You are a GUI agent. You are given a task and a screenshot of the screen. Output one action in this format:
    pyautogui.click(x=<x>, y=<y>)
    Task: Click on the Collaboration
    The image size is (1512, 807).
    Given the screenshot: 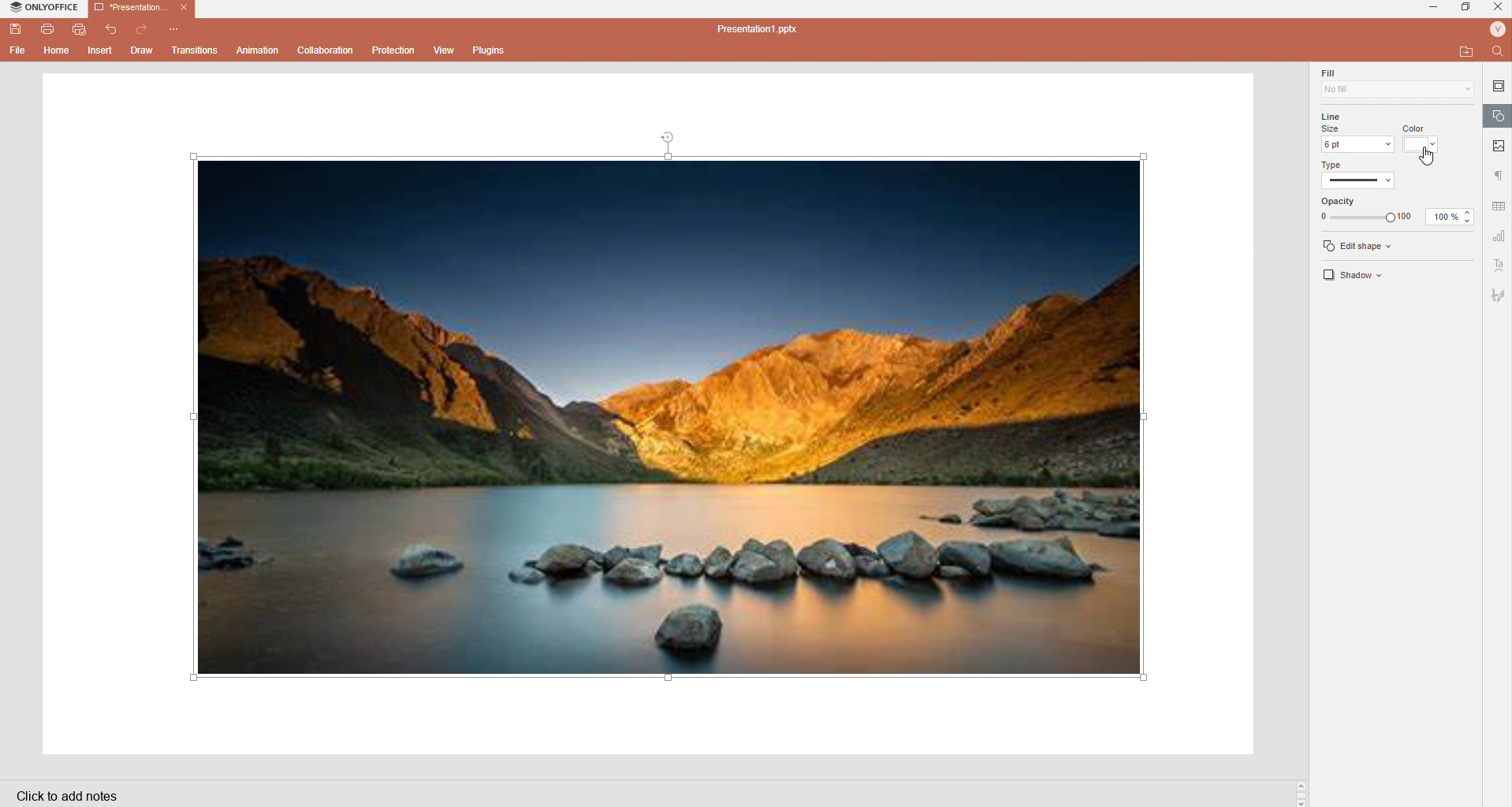 What is the action you would take?
    pyautogui.click(x=326, y=50)
    